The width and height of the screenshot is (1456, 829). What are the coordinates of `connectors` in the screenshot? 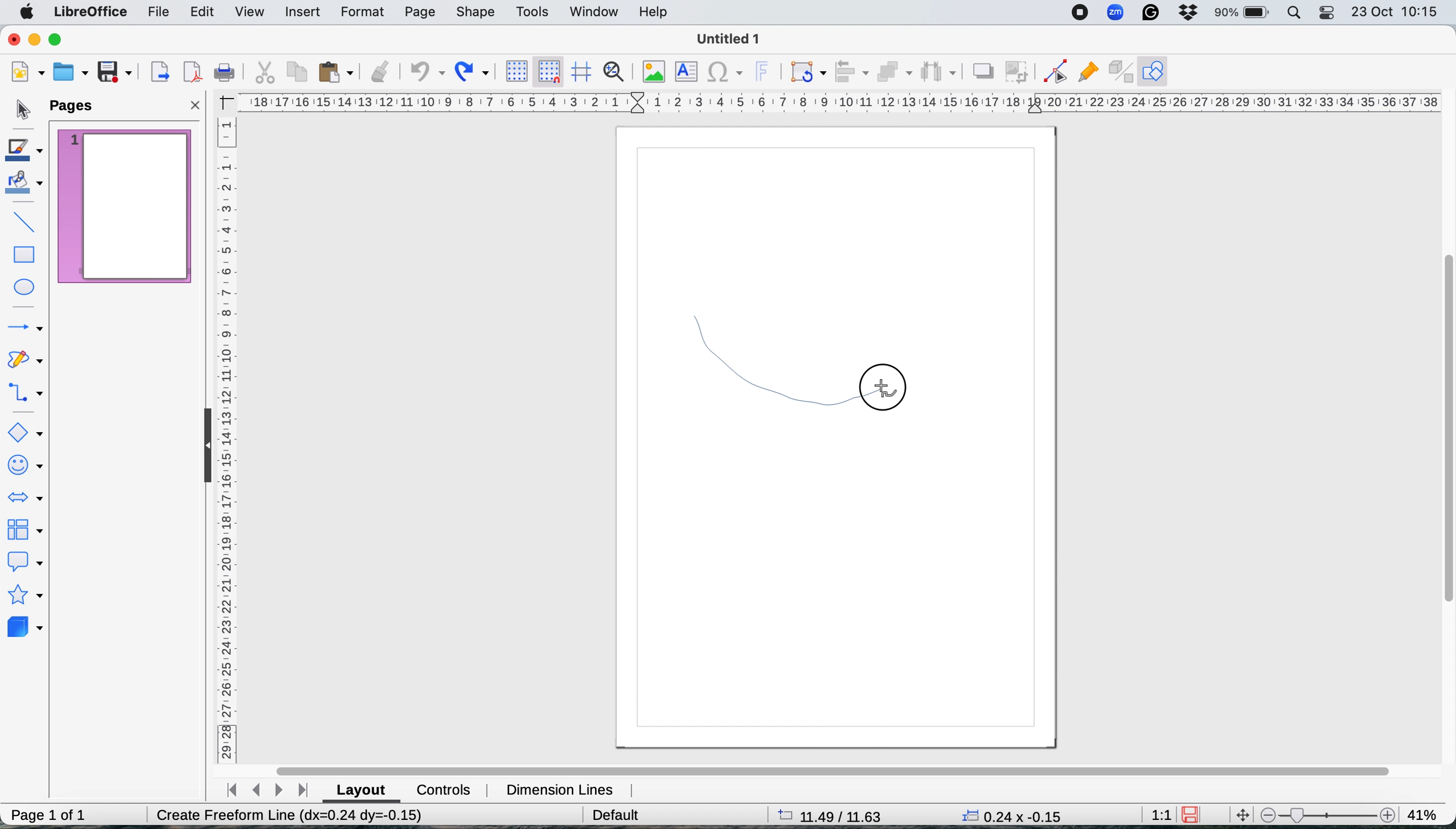 It's located at (27, 393).